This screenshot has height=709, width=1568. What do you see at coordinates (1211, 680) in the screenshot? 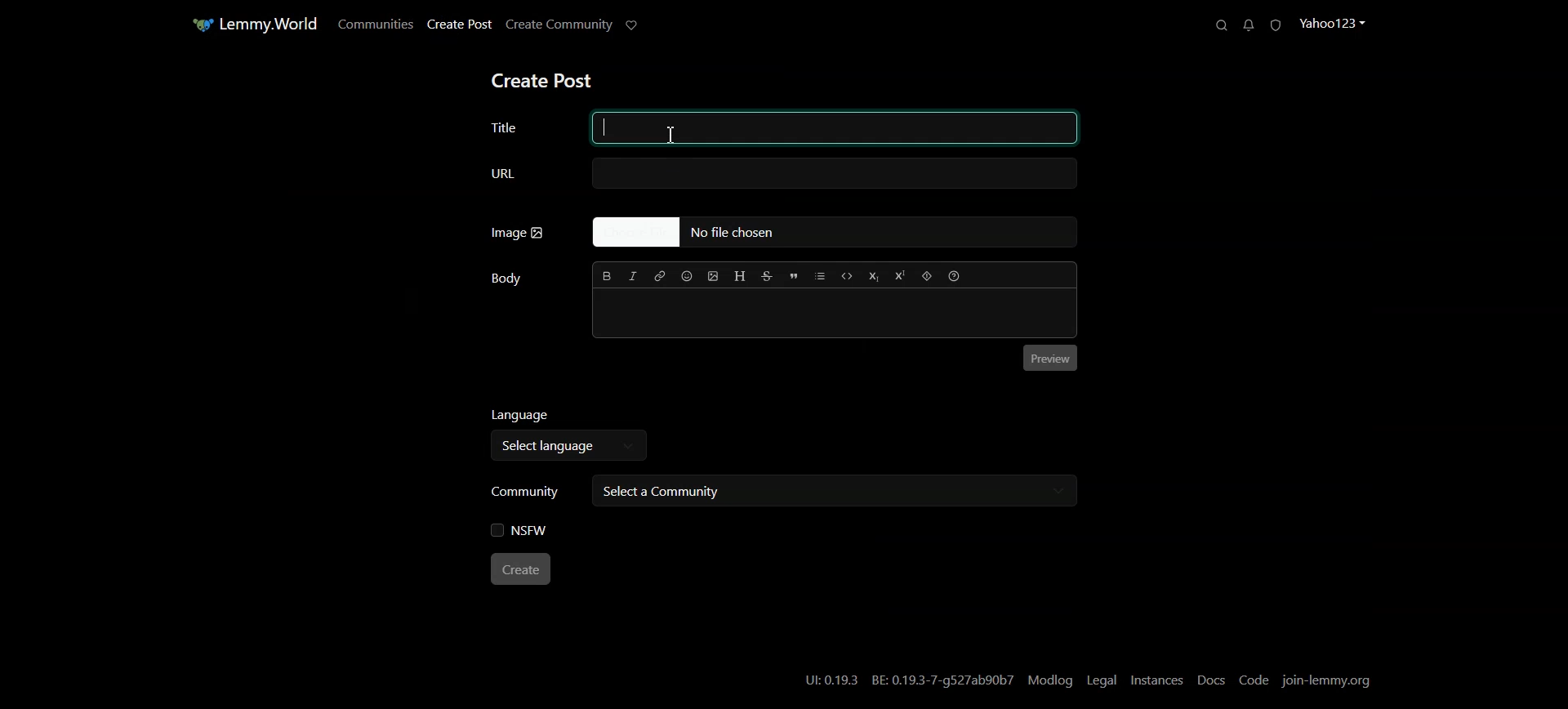
I see `Docs` at bounding box center [1211, 680].